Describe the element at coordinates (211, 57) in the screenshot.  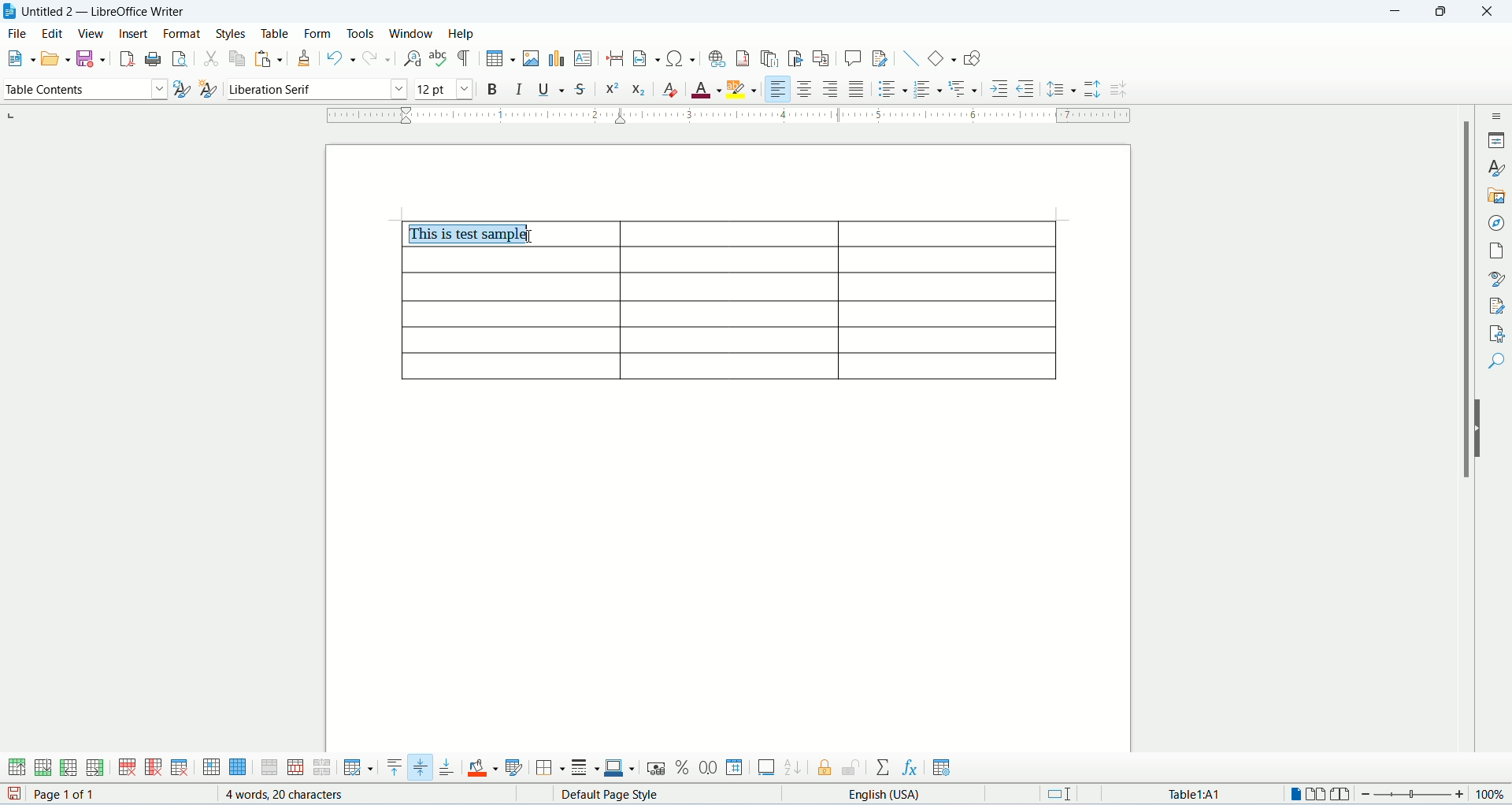
I see `cut` at that location.